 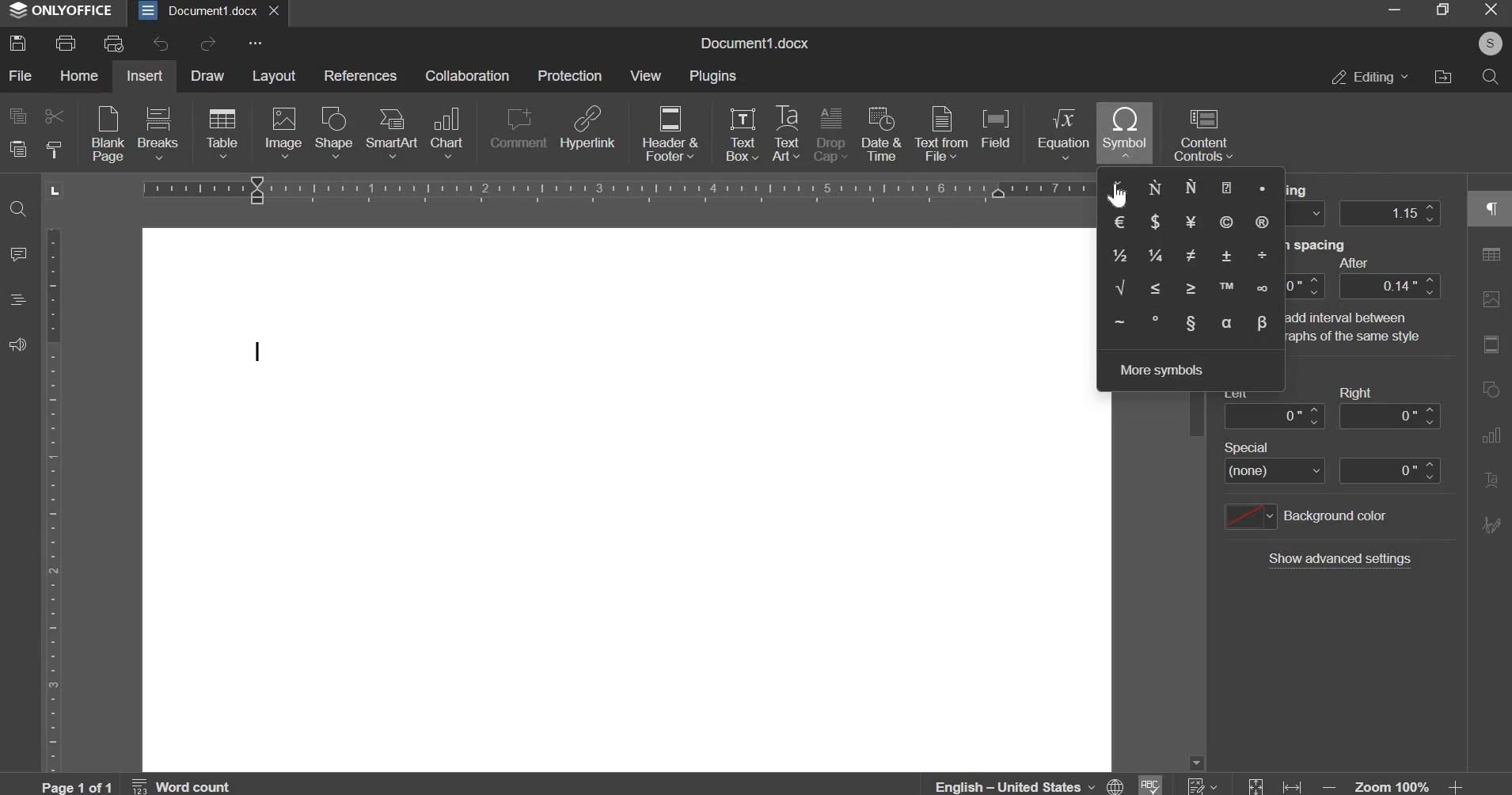 I want to click on layout, so click(x=273, y=75).